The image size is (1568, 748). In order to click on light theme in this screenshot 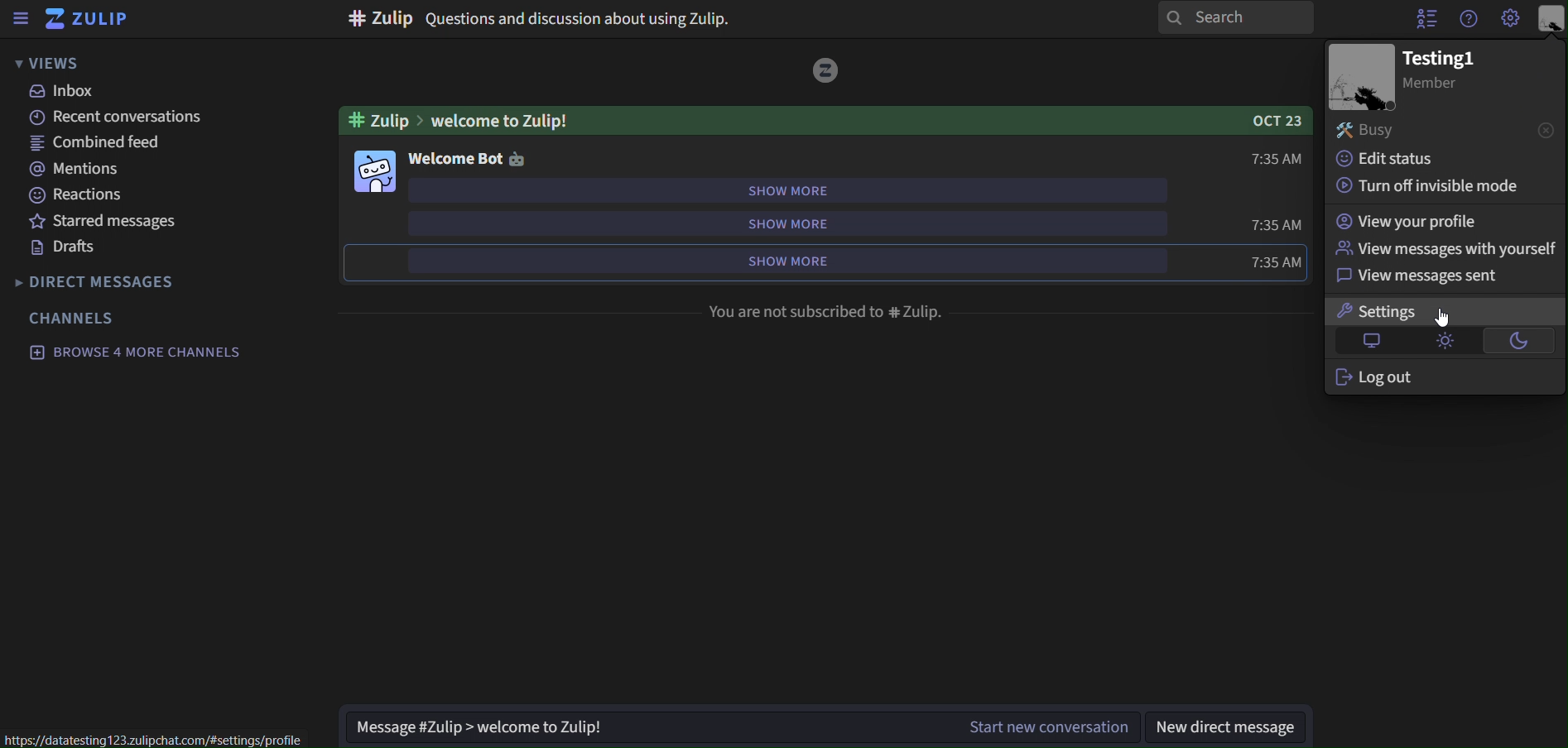, I will do `click(1450, 343)`.